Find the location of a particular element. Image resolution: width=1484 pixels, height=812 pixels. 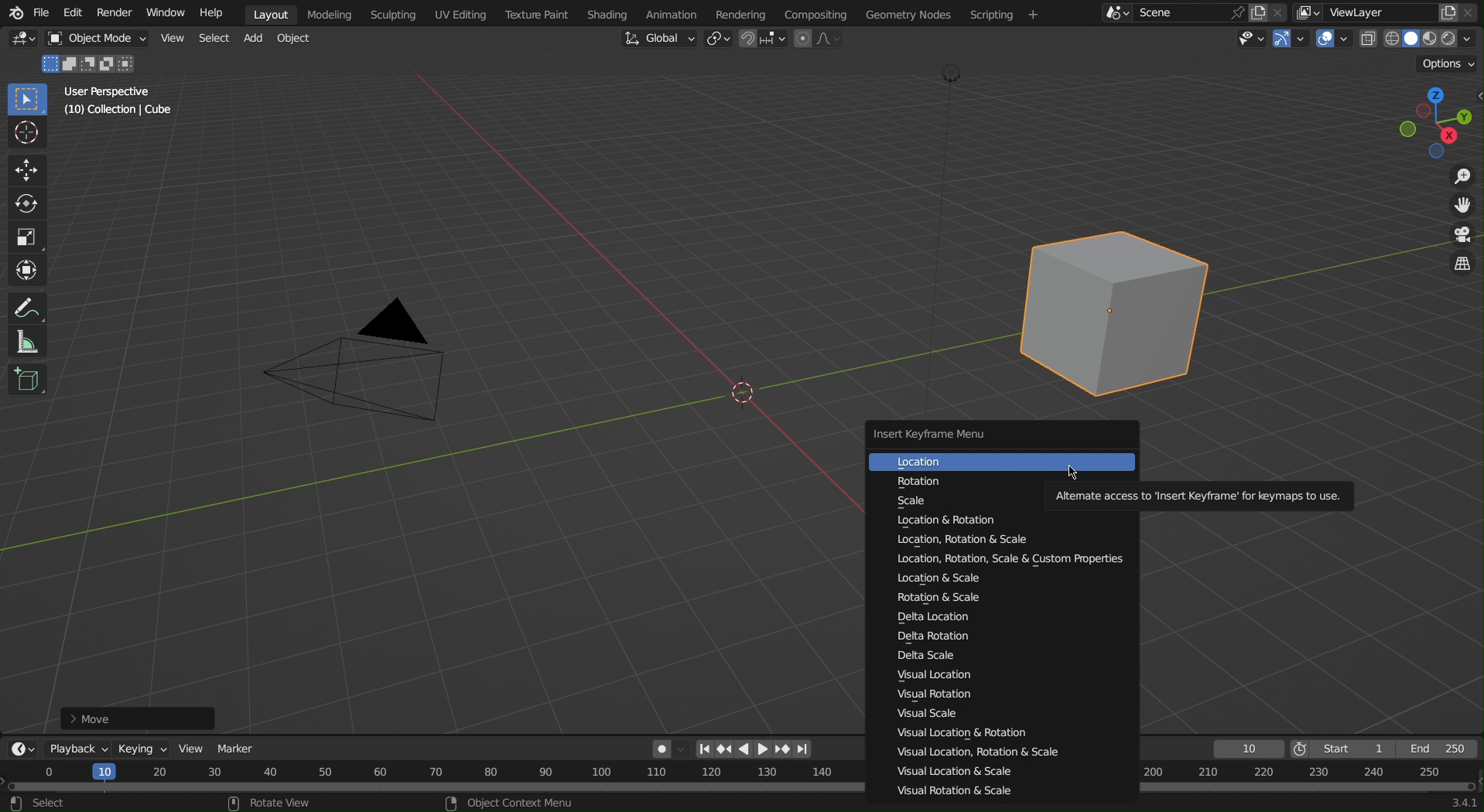

Visual Location, Rotation & Scale is located at coordinates (968, 752).